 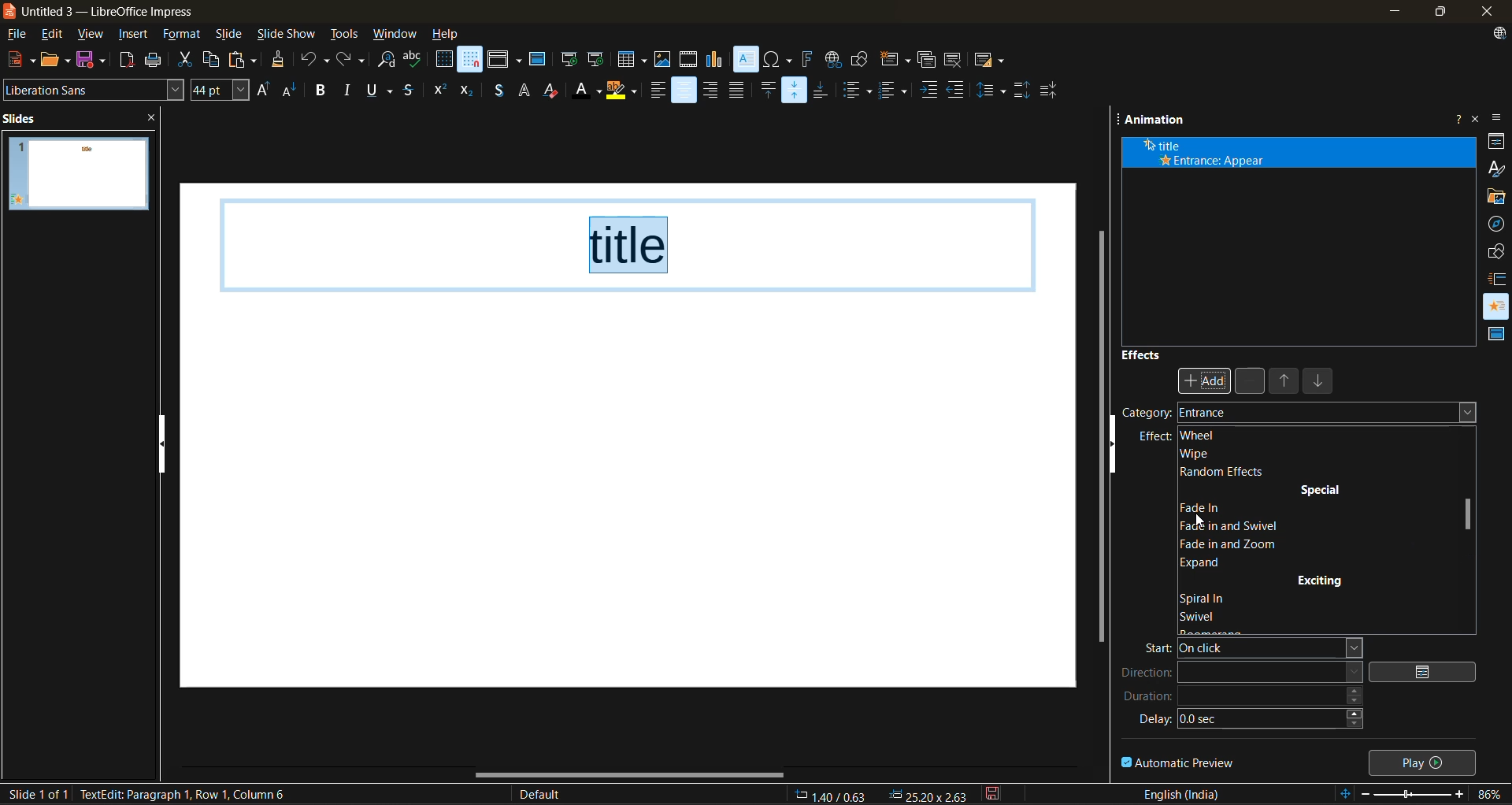 What do you see at coordinates (383, 91) in the screenshot?
I see `underline` at bounding box center [383, 91].